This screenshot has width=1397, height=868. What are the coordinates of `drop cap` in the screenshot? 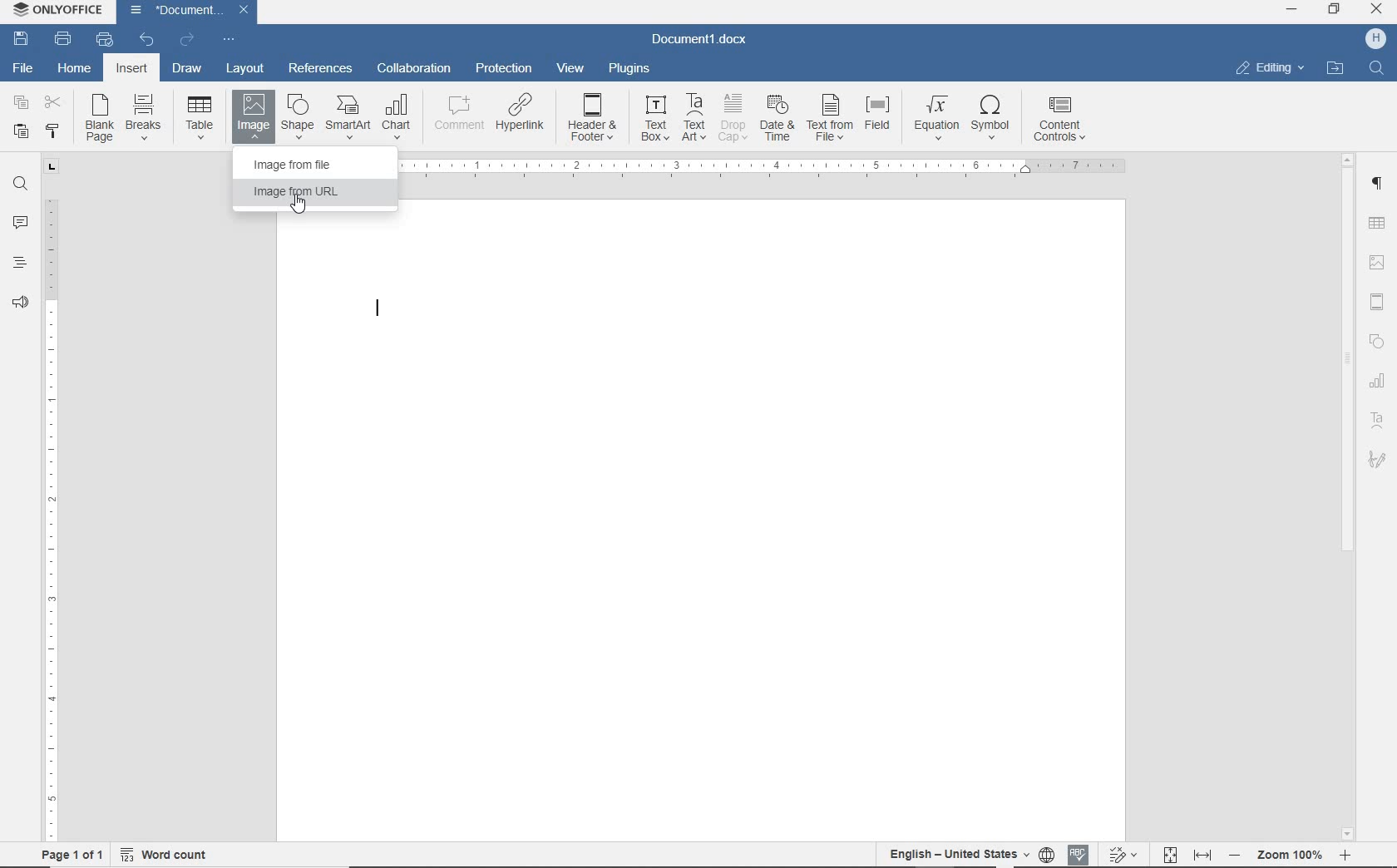 It's located at (734, 117).